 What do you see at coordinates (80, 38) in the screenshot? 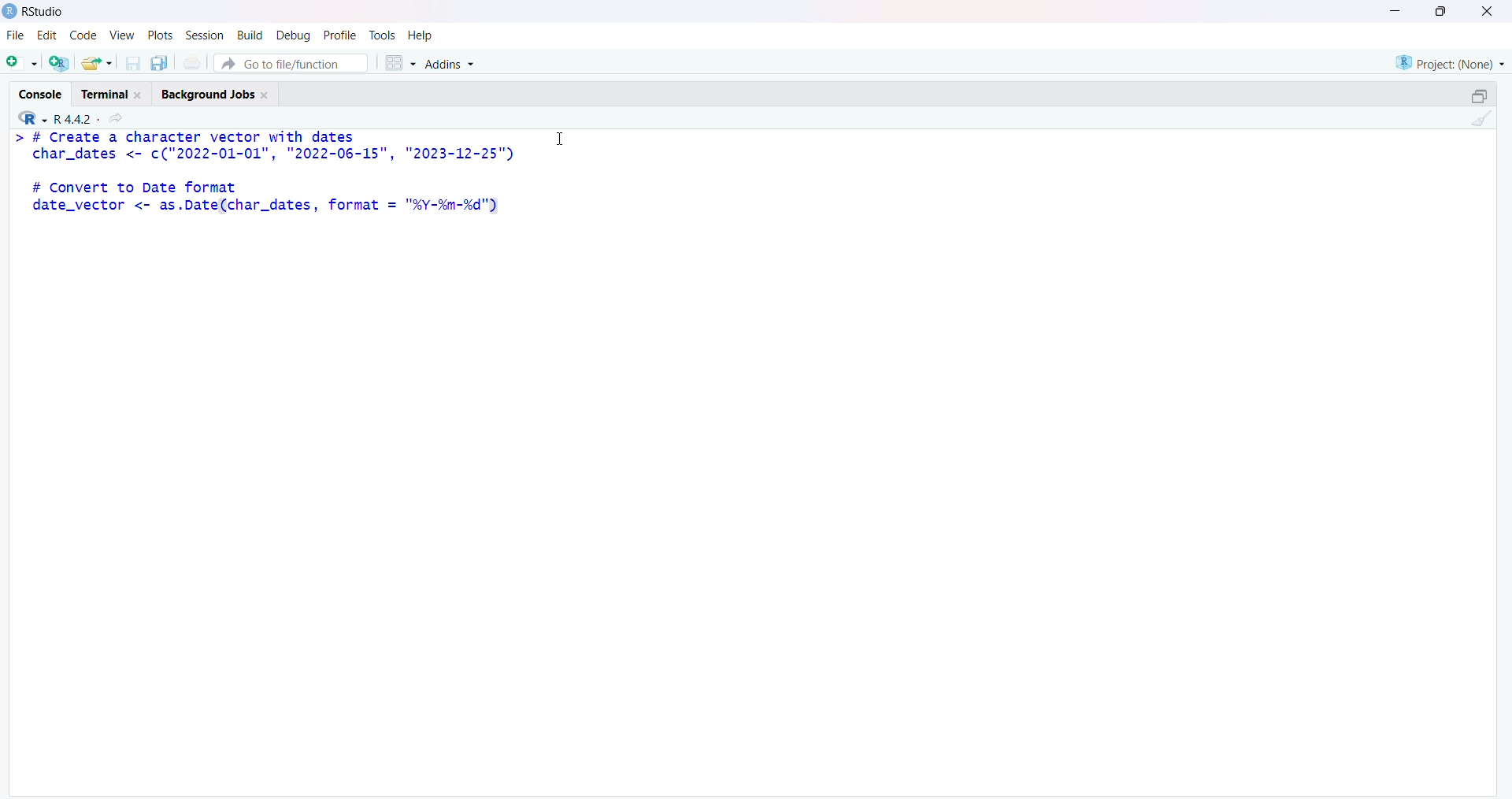
I see `Code` at bounding box center [80, 38].